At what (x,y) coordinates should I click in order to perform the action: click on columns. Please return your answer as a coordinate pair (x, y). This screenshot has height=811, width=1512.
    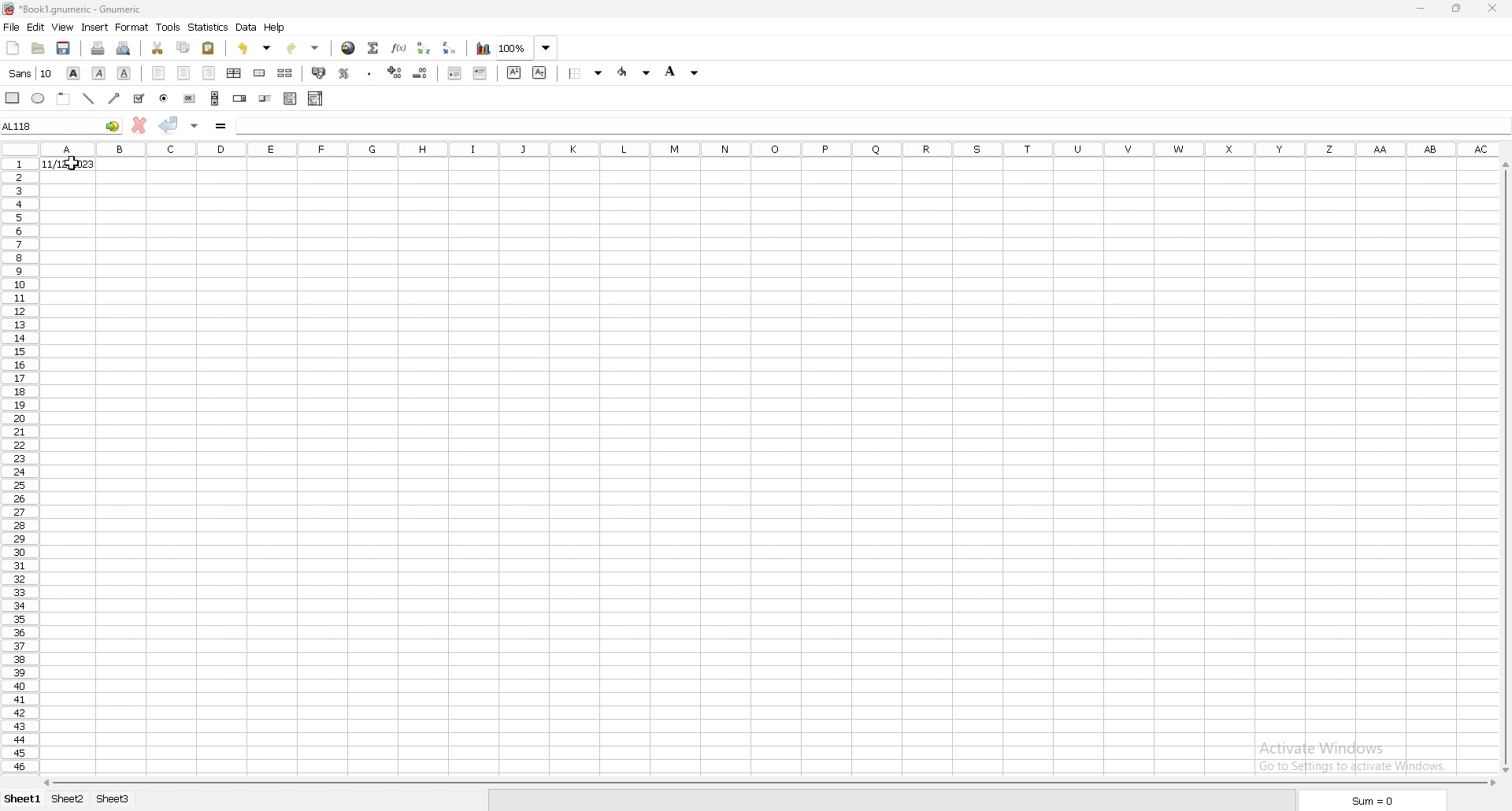
    Looking at the image, I should click on (772, 148).